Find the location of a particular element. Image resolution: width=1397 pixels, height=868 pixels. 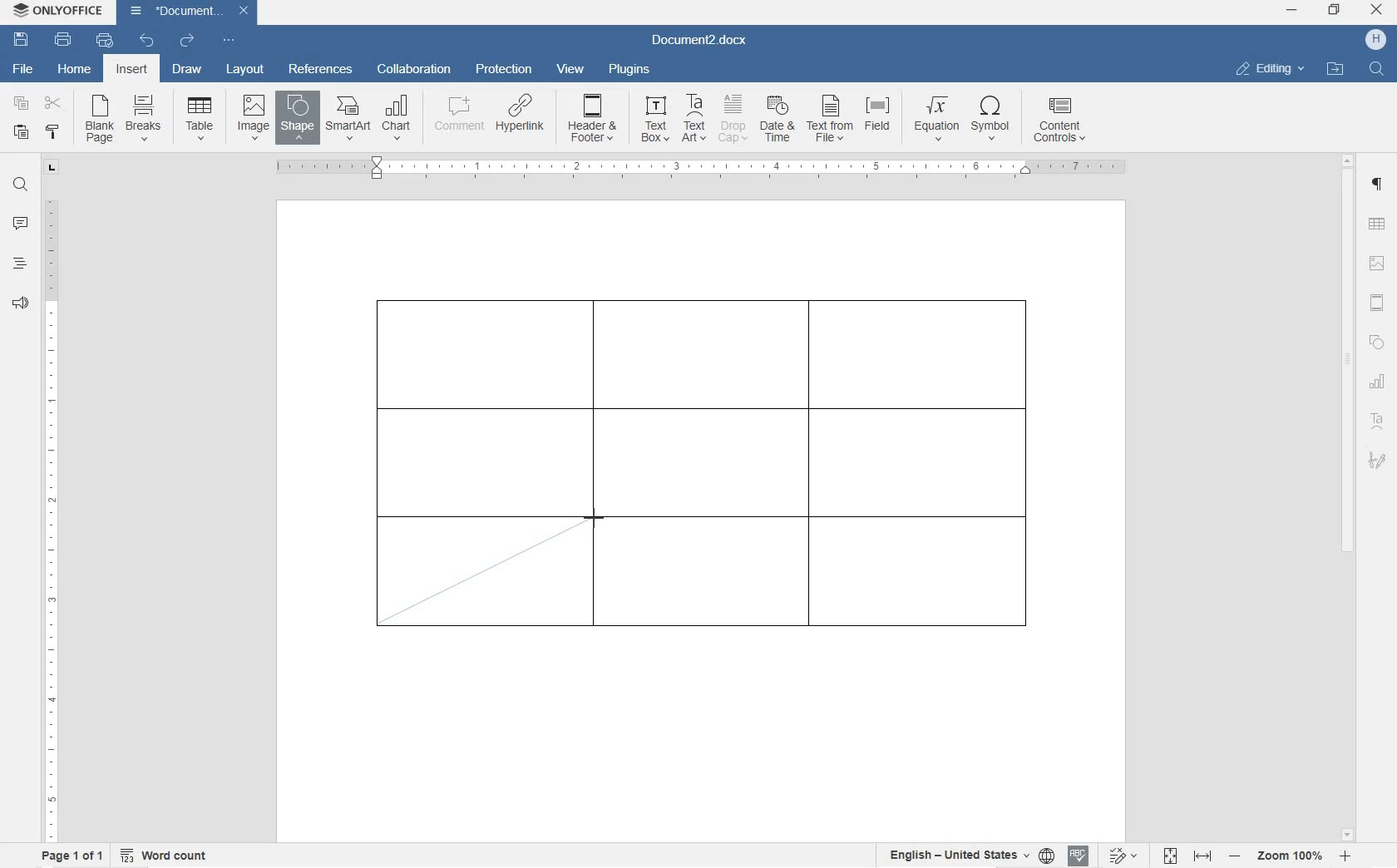

drawing diagonal line border is located at coordinates (484, 570).